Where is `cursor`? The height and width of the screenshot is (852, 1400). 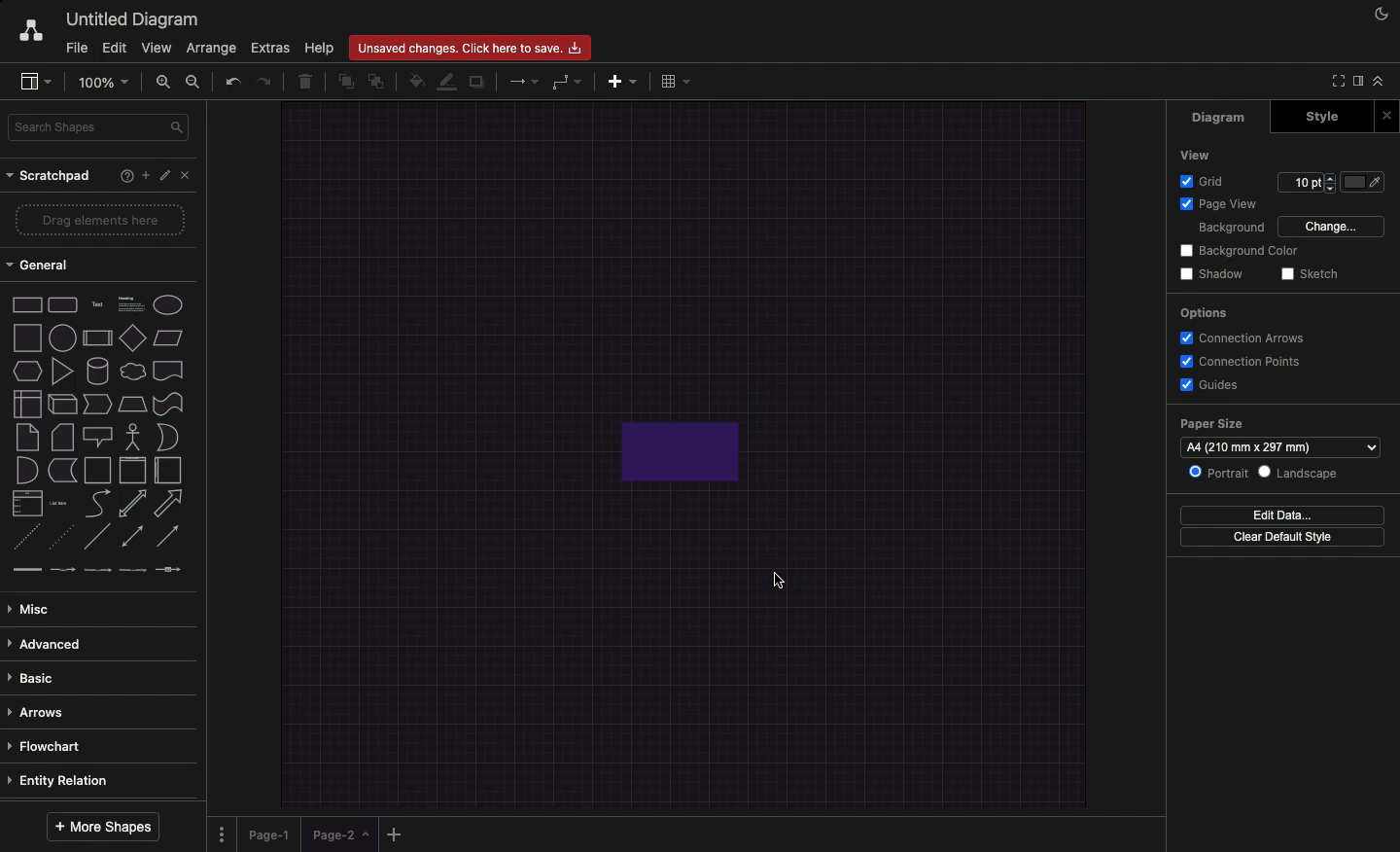
cursor is located at coordinates (773, 582).